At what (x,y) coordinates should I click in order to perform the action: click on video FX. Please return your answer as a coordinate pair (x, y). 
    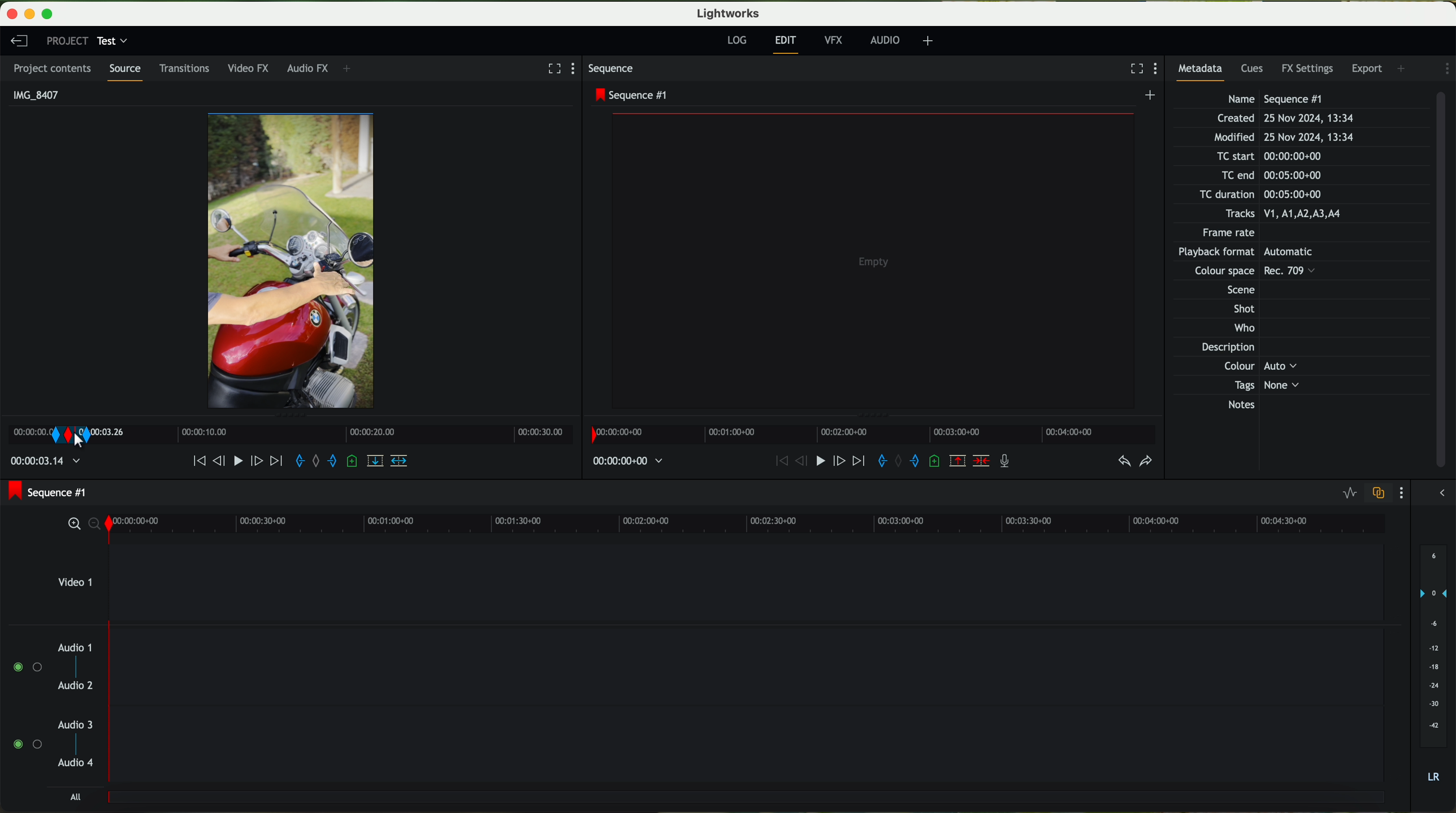
    Looking at the image, I should click on (251, 70).